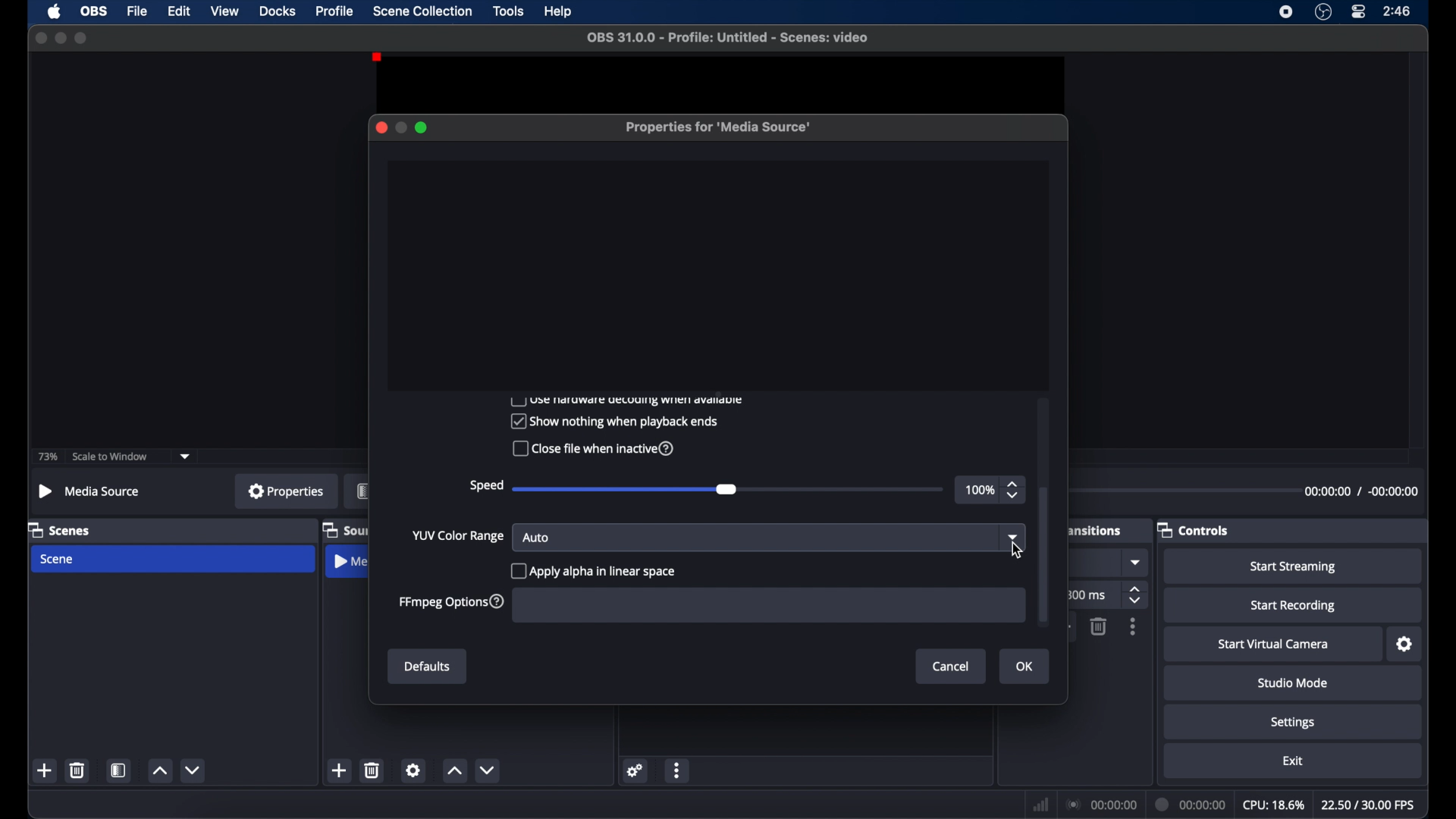 The width and height of the screenshot is (1456, 819). I want to click on time, so click(1398, 11).